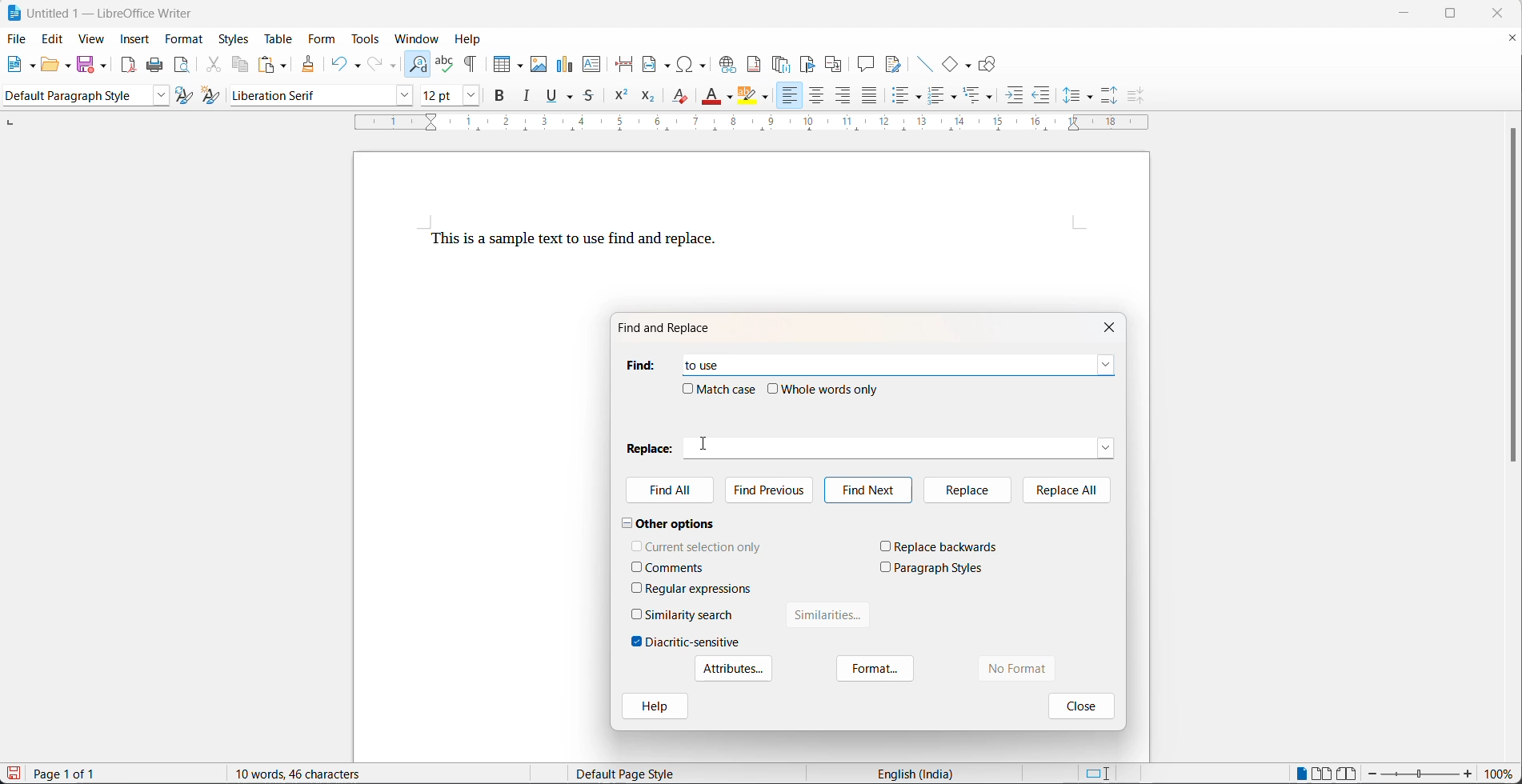 Image resolution: width=1522 pixels, height=784 pixels. Describe the element at coordinates (636, 774) in the screenshot. I see `Default page style` at that location.